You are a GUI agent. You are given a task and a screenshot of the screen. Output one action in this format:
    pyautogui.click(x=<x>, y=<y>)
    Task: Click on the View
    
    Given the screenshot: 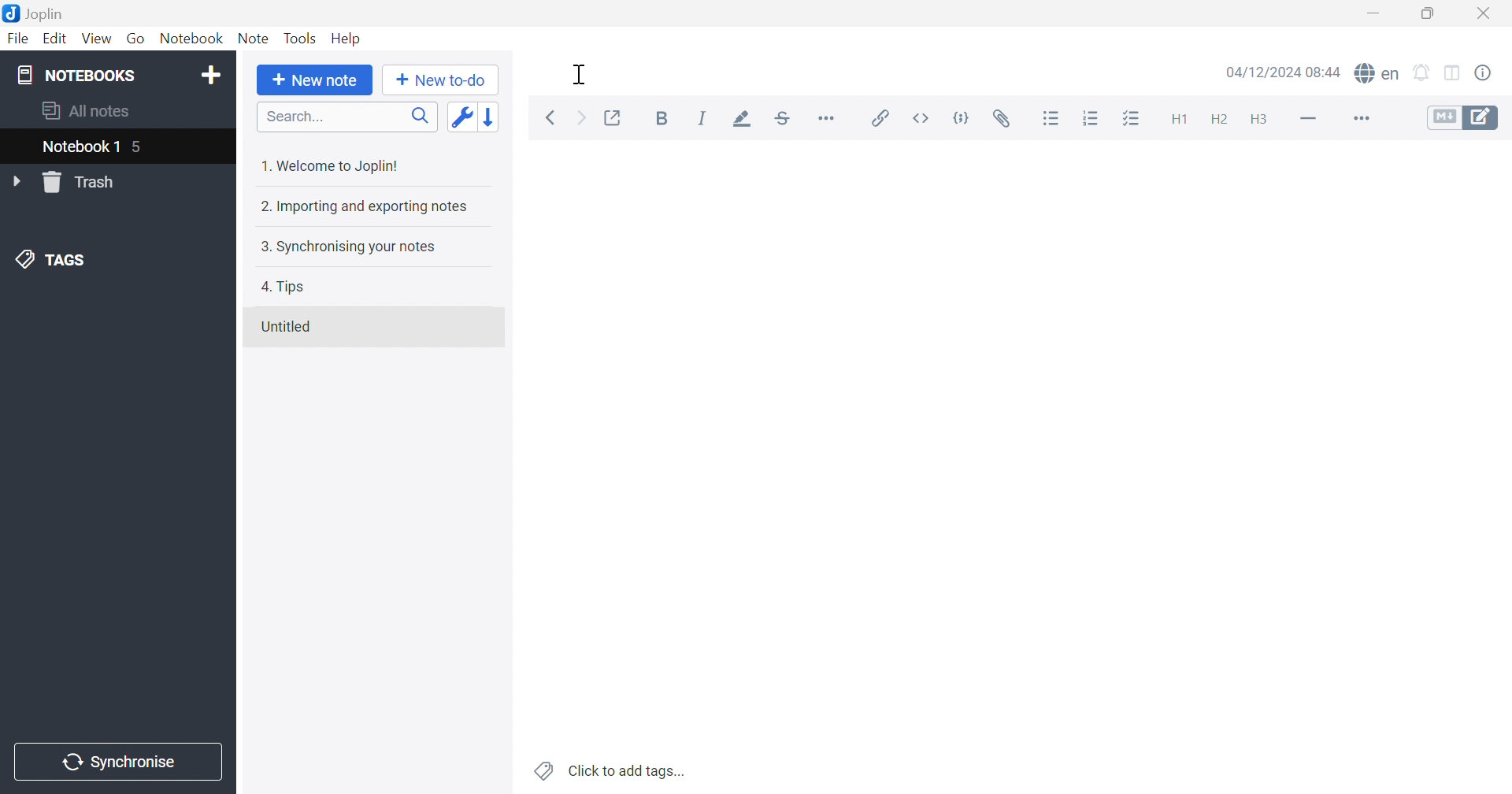 What is the action you would take?
    pyautogui.click(x=97, y=39)
    